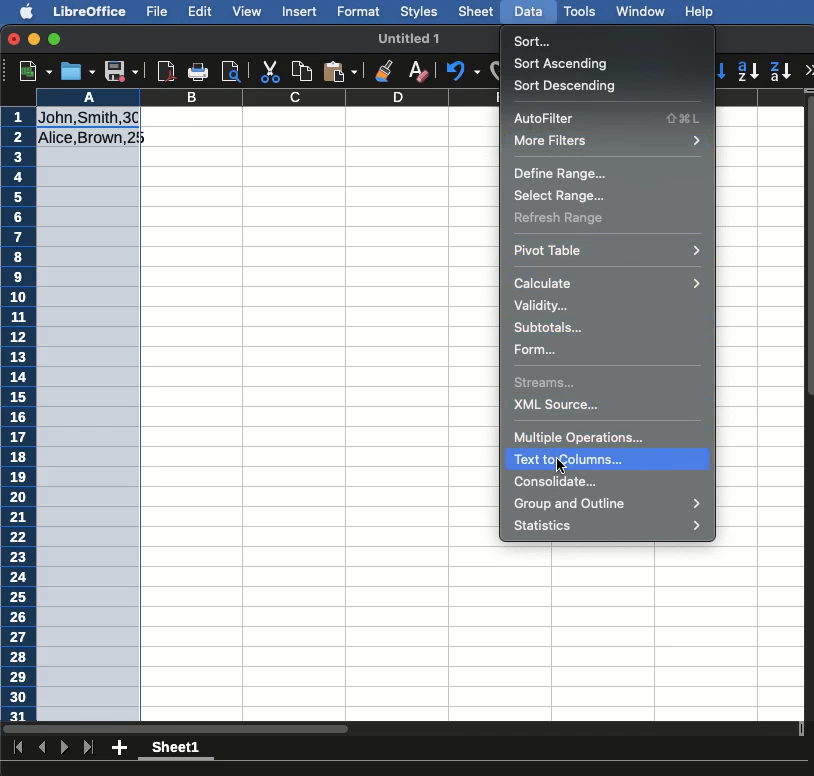 The image size is (814, 776). What do you see at coordinates (385, 73) in the screenshot?
I see `Clone formatting` at bounding box center [385, 73].